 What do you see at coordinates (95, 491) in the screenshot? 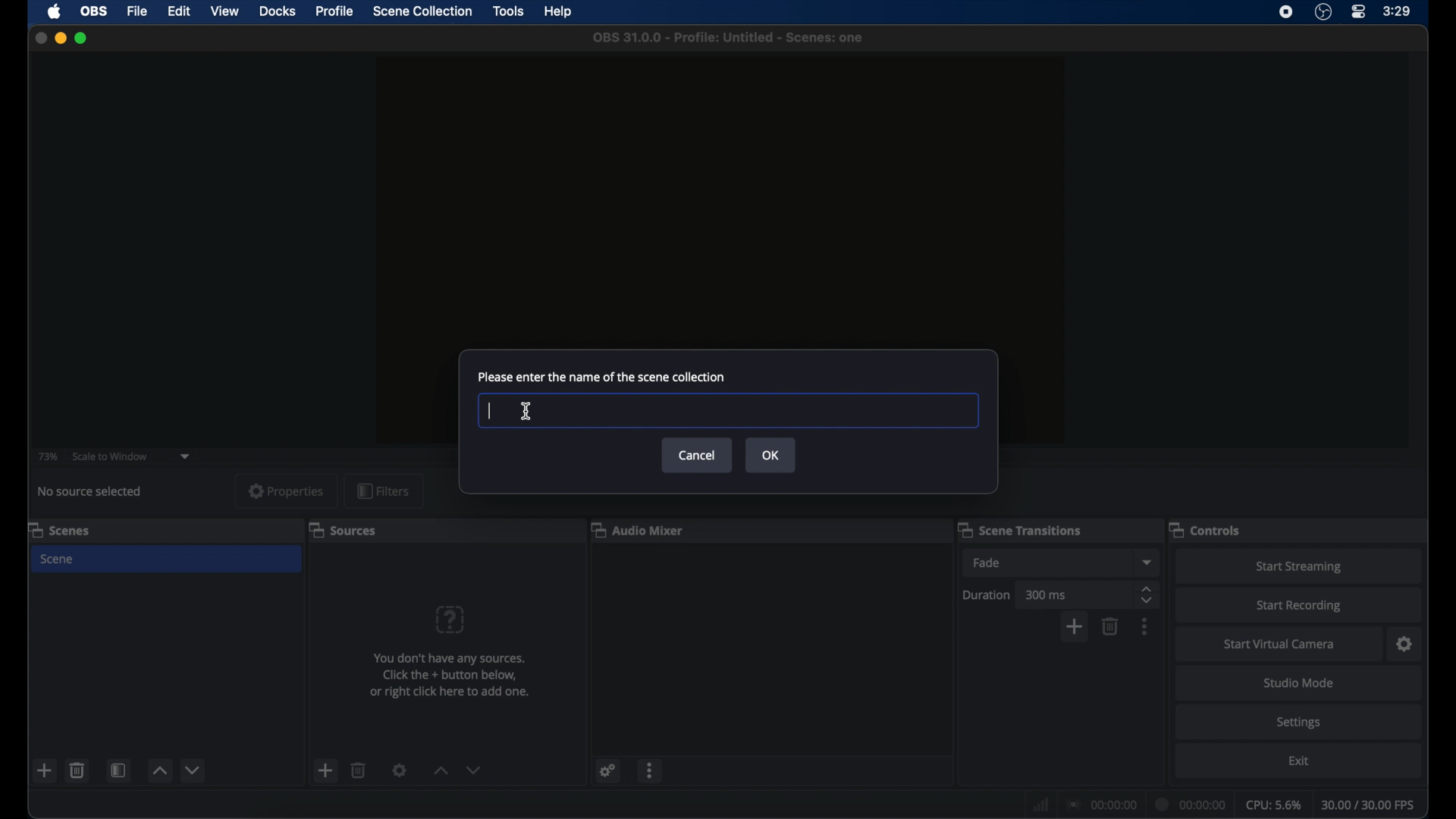
I see `no source selected` at bounding box center [95, 491].